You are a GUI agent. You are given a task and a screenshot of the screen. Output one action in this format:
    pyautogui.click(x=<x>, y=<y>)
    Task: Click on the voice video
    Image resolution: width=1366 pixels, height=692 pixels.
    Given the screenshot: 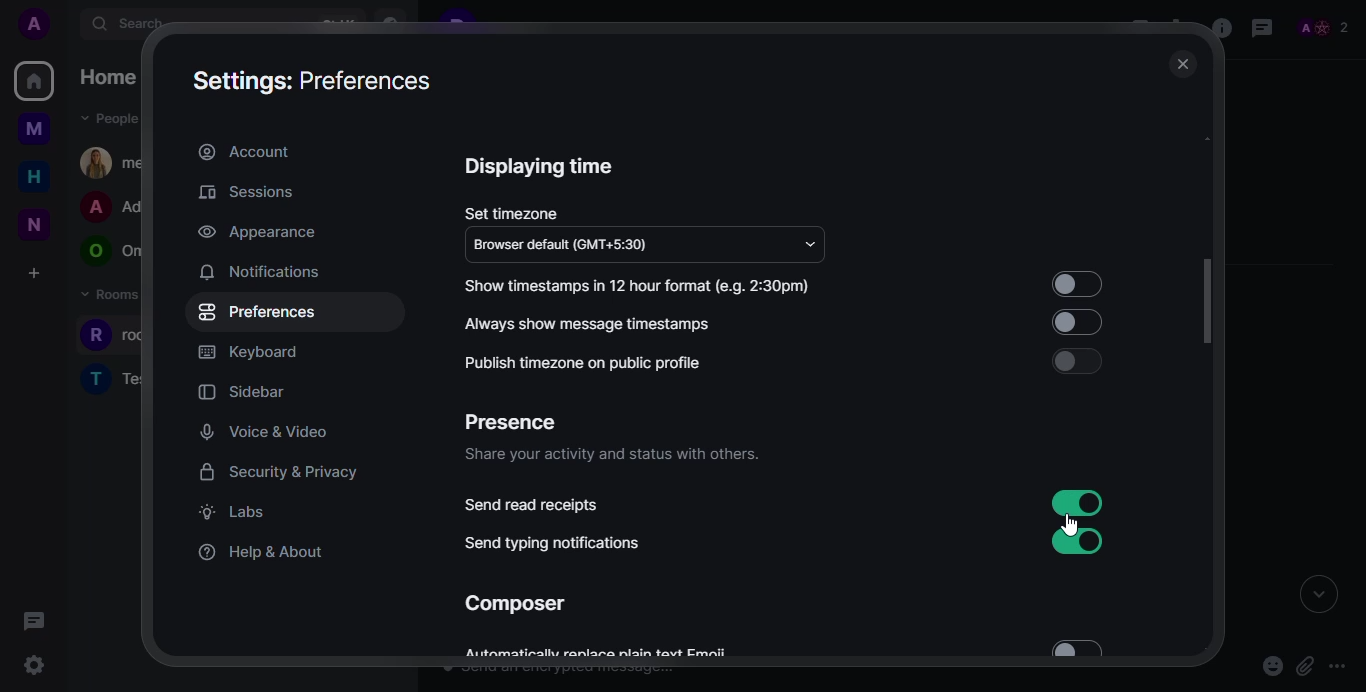 What is the action you would take?
    pyautogui.click(x=265, y=432)
    